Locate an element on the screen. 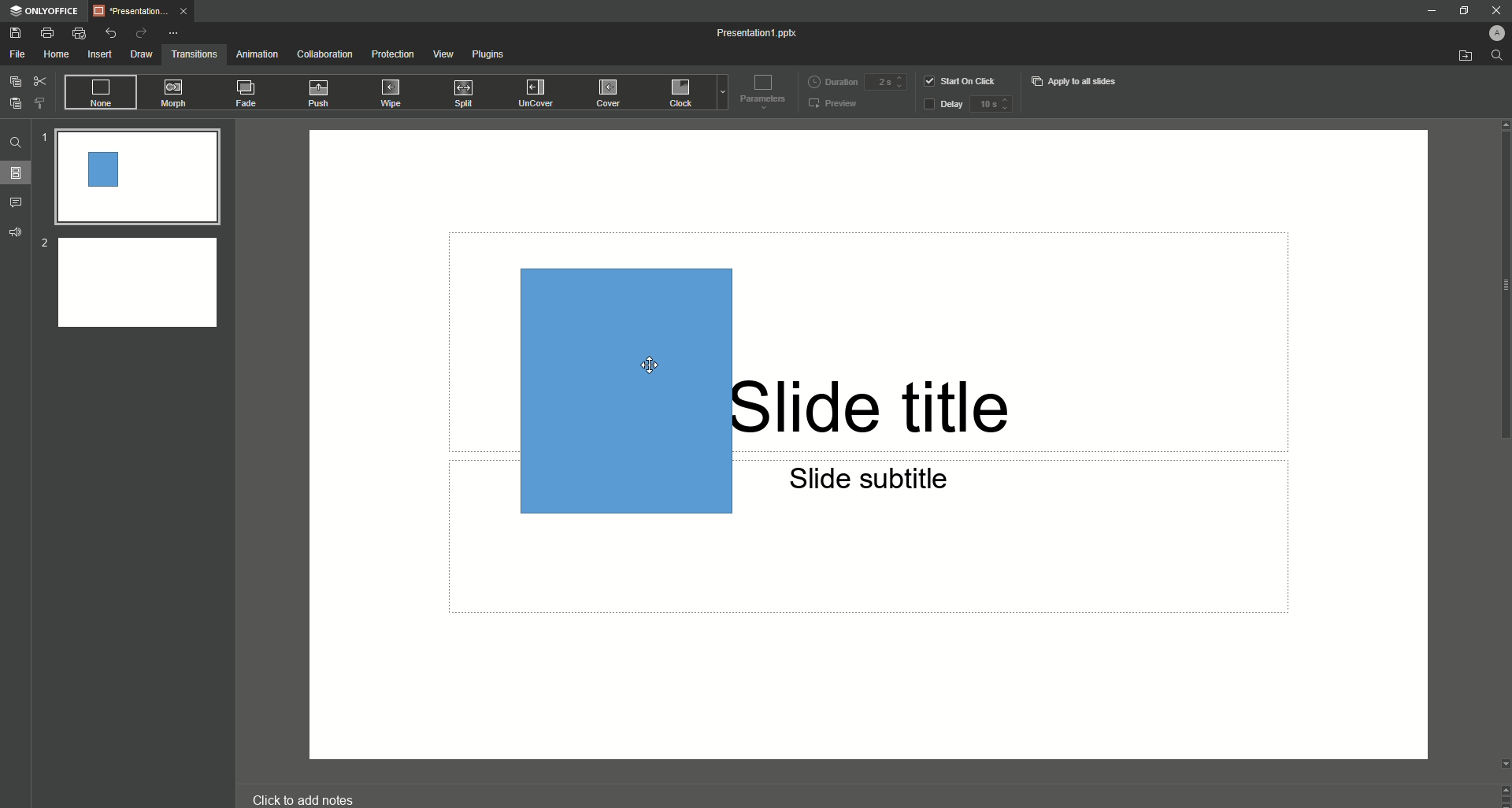 The height and width of the screenshot is (808, 1512). Slide 2 preview is located at coordinates (135, 286).